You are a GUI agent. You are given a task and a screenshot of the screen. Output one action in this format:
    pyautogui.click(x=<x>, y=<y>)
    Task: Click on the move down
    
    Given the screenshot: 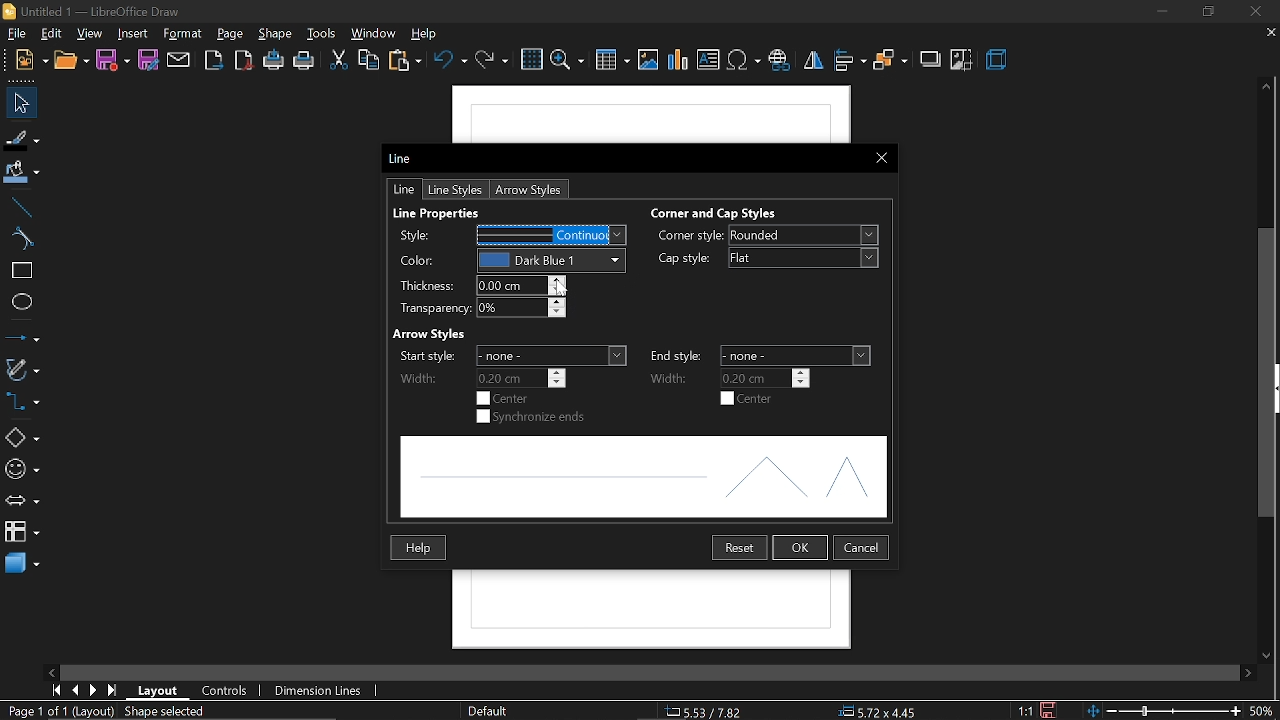 What is the action you would take?
    pyautogui.click(x=1270, y=657)
    